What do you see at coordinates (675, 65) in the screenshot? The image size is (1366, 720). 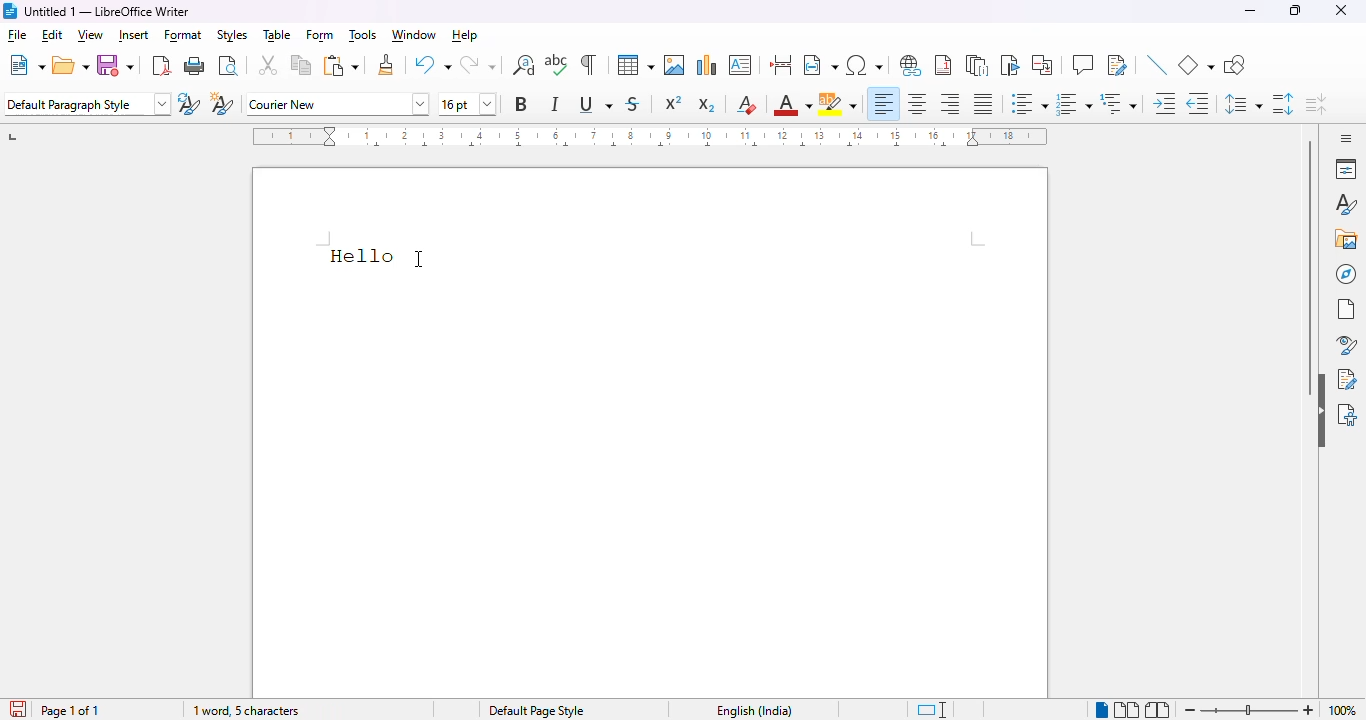 I see `insert image` at bounding box center [675, 65].